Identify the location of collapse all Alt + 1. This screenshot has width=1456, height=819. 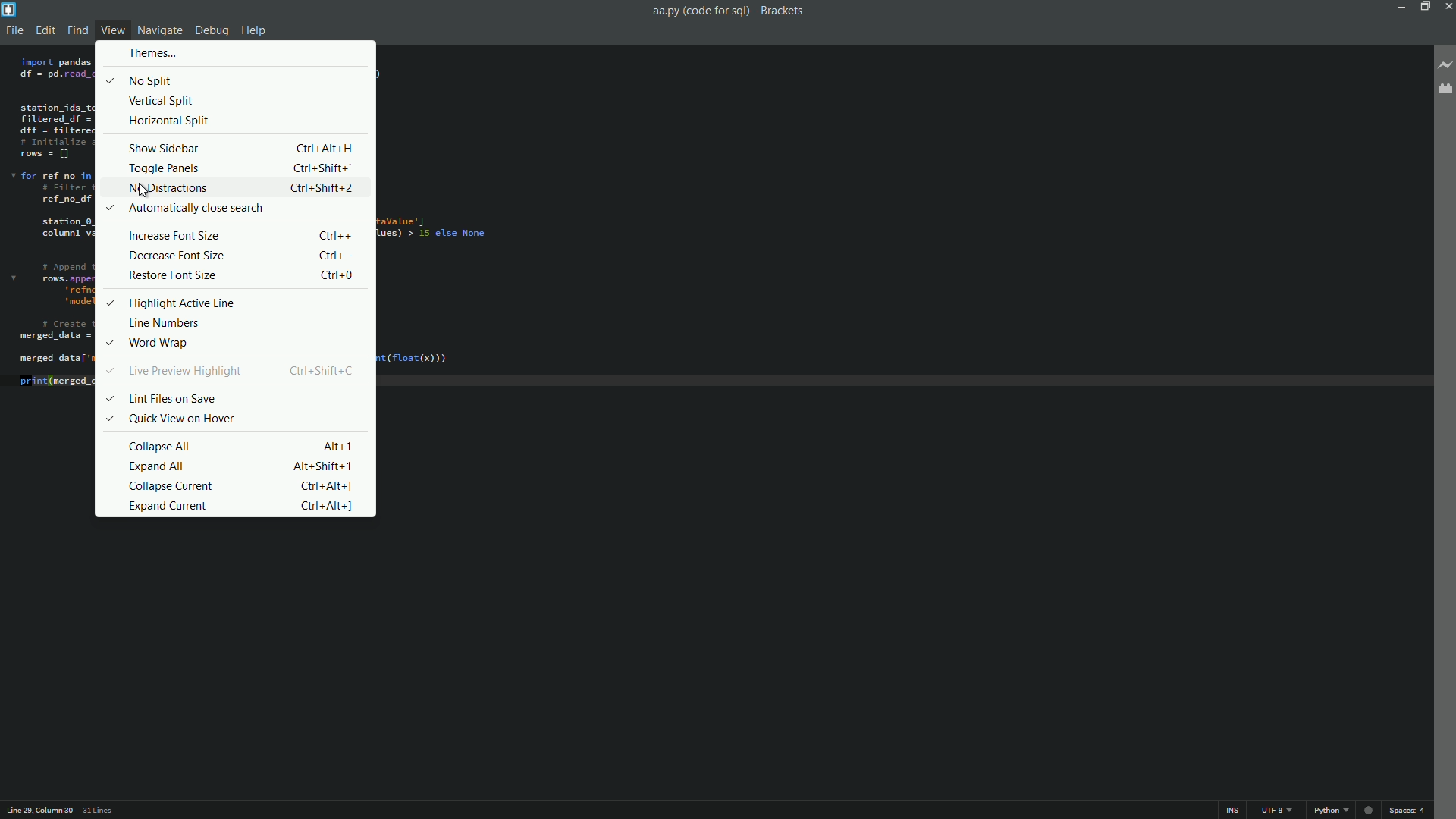
(243, 444).